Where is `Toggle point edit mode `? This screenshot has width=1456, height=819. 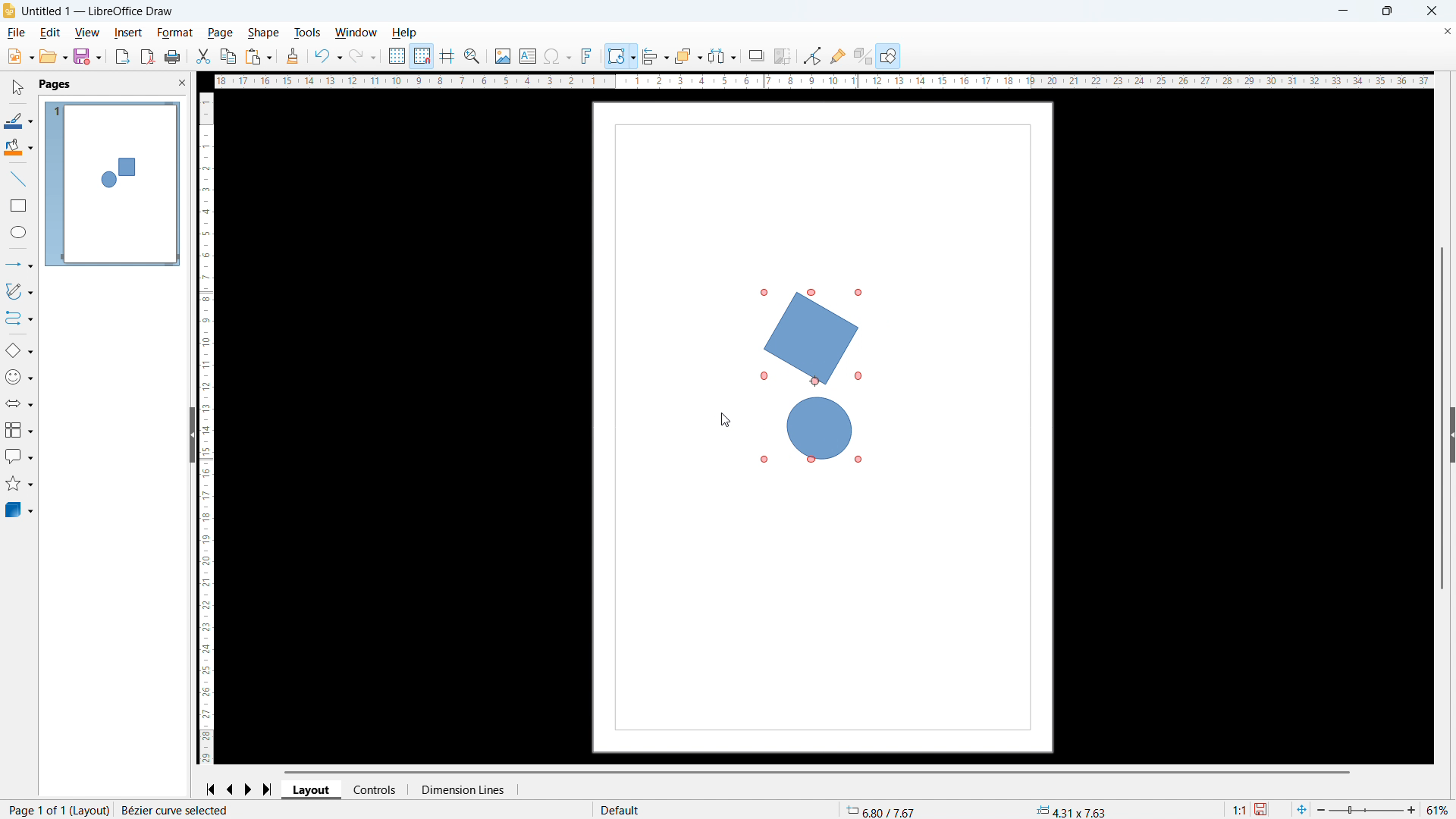 Toggle point edit mode  is located at coordinates (811, 55).